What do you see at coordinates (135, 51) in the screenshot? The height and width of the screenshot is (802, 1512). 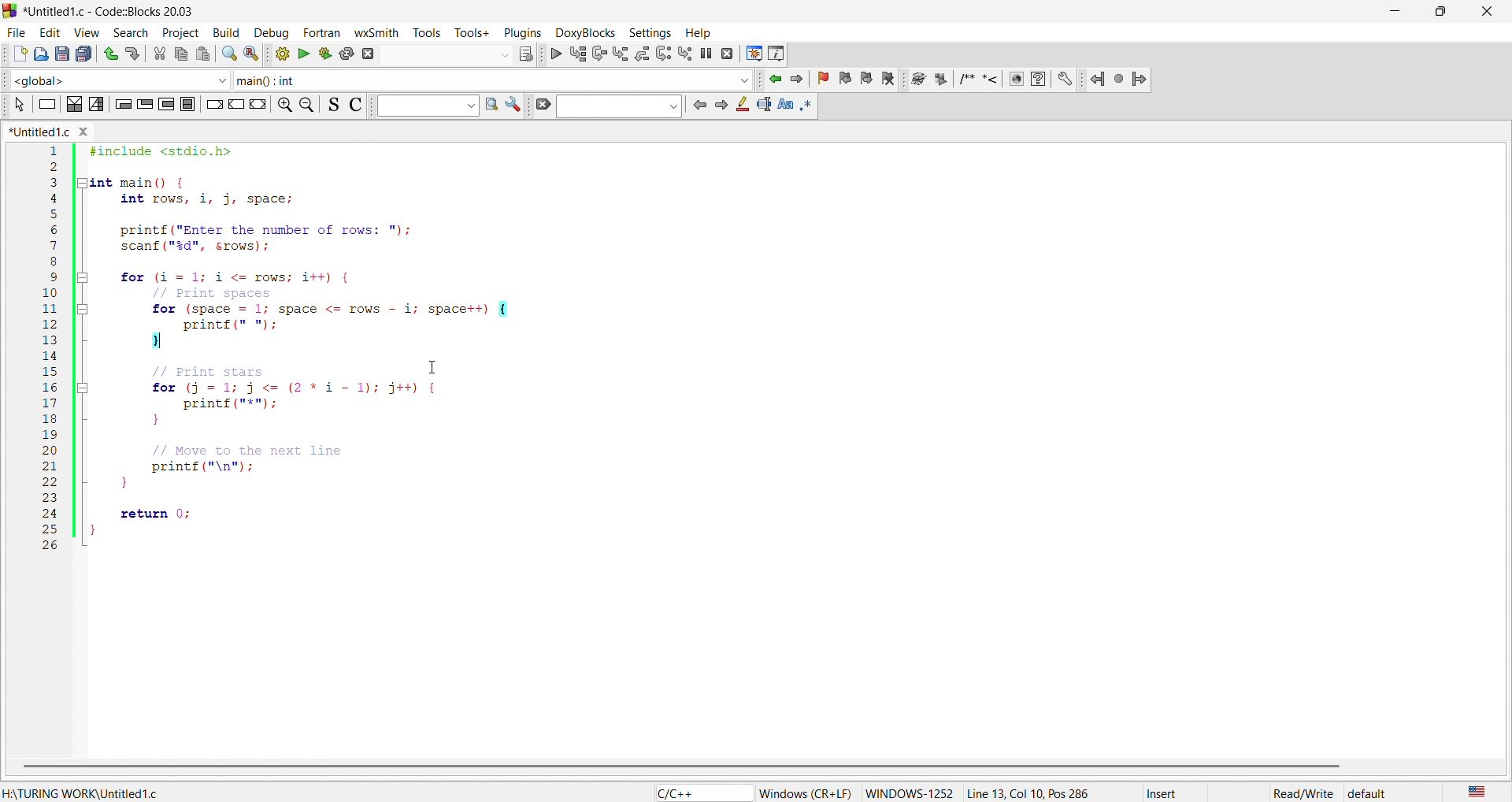 I see `redo` at bounding box center [135, 51].